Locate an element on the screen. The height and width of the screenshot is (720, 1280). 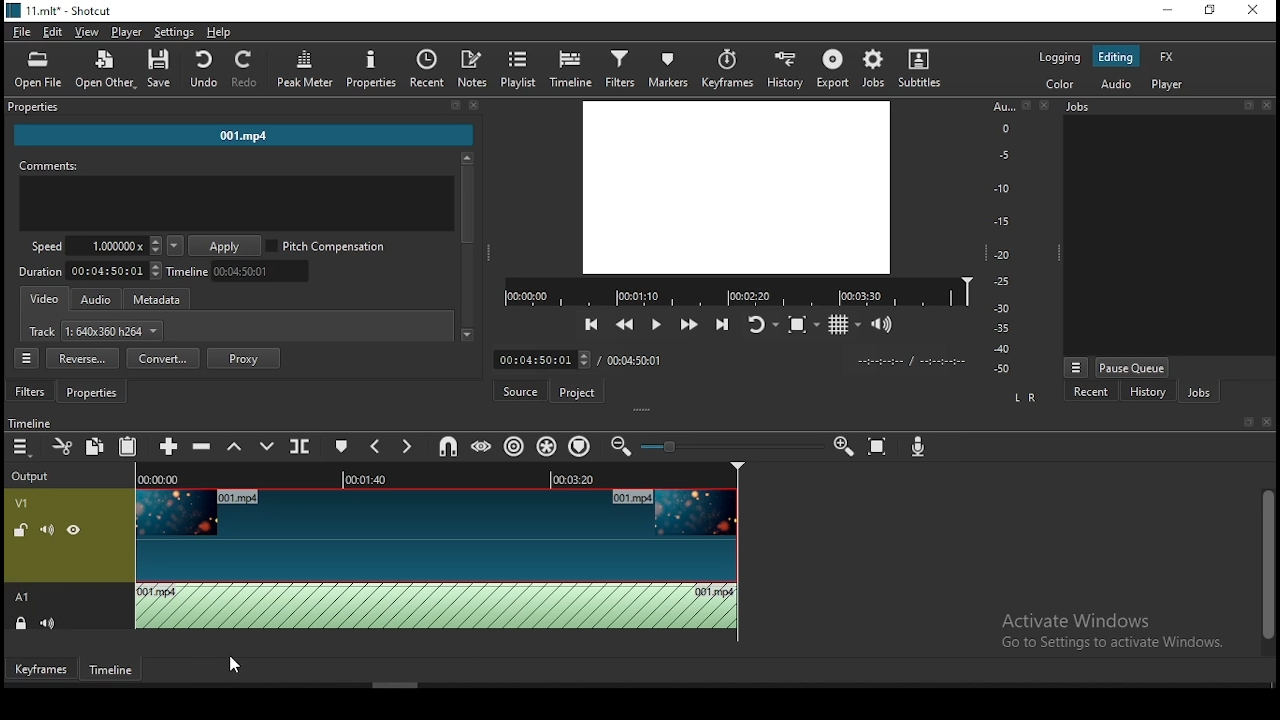
jobs is located at coordinates (1196, 392).